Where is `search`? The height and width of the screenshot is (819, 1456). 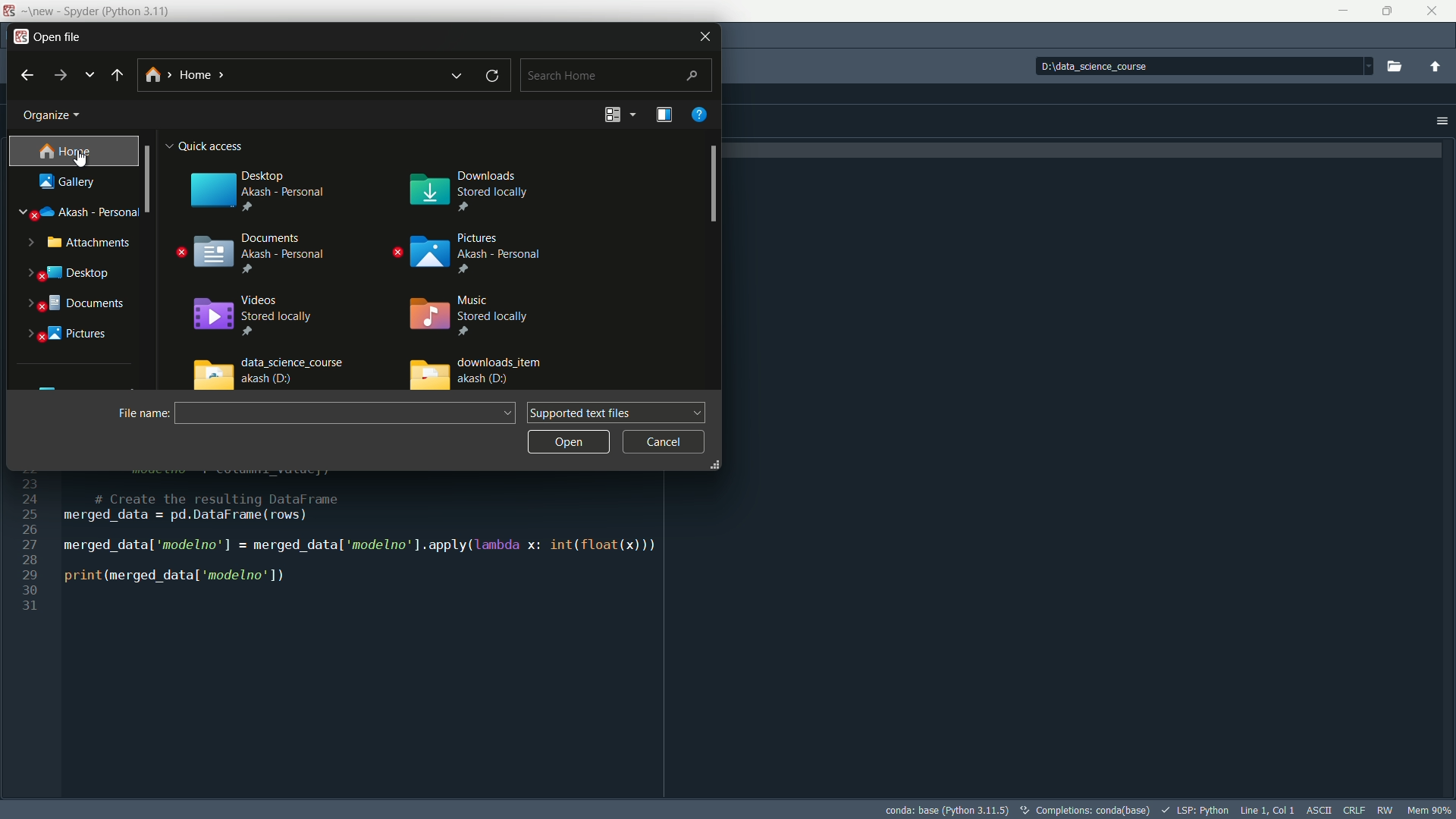 search is located at coordinates (613, 76).